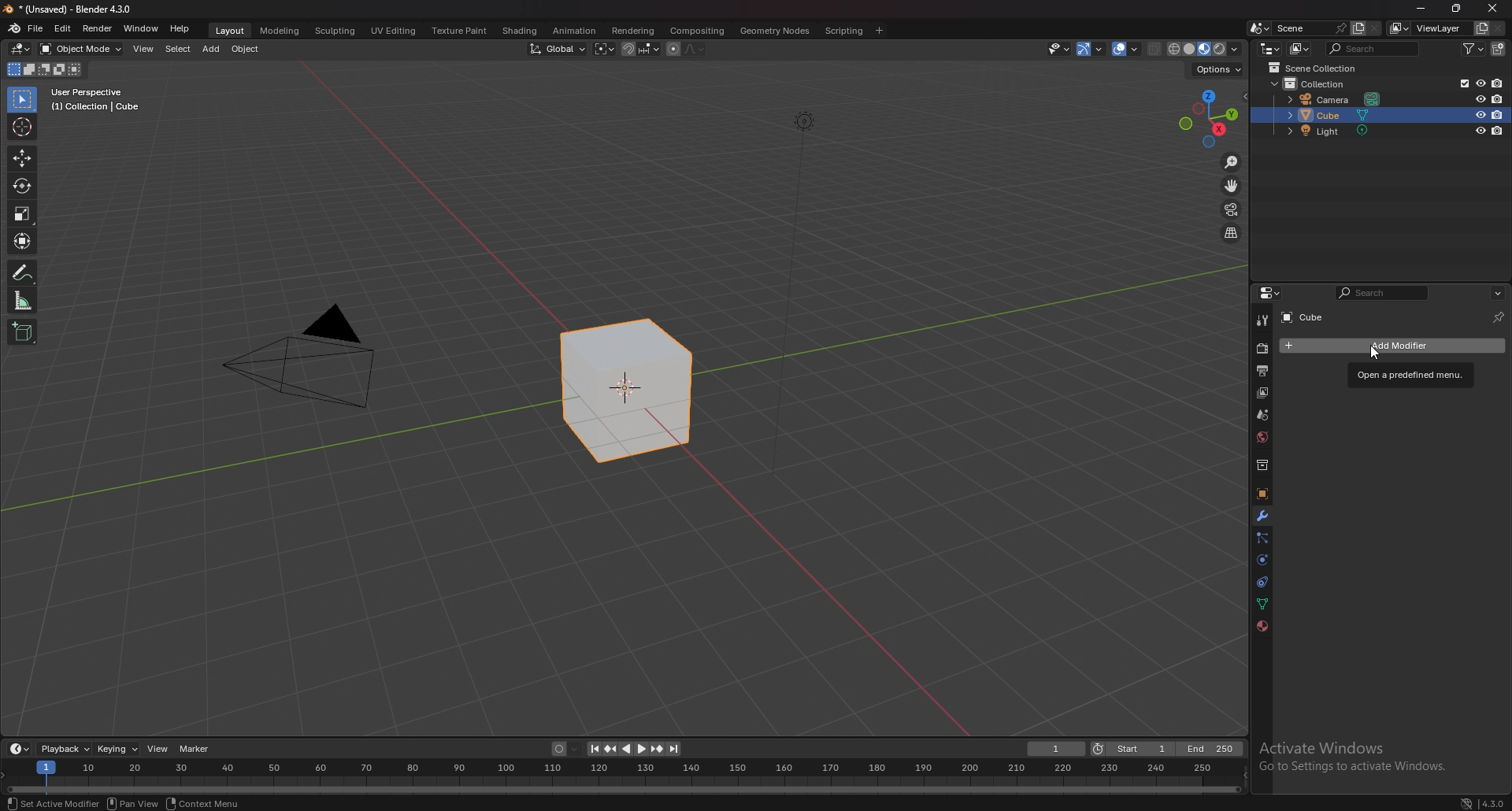 Image resolution: width=1512 pixels, height=811 pixels. Describe the element at coordinates (1480, 83) in the screenshot. I see `hide in viewport` at that location.